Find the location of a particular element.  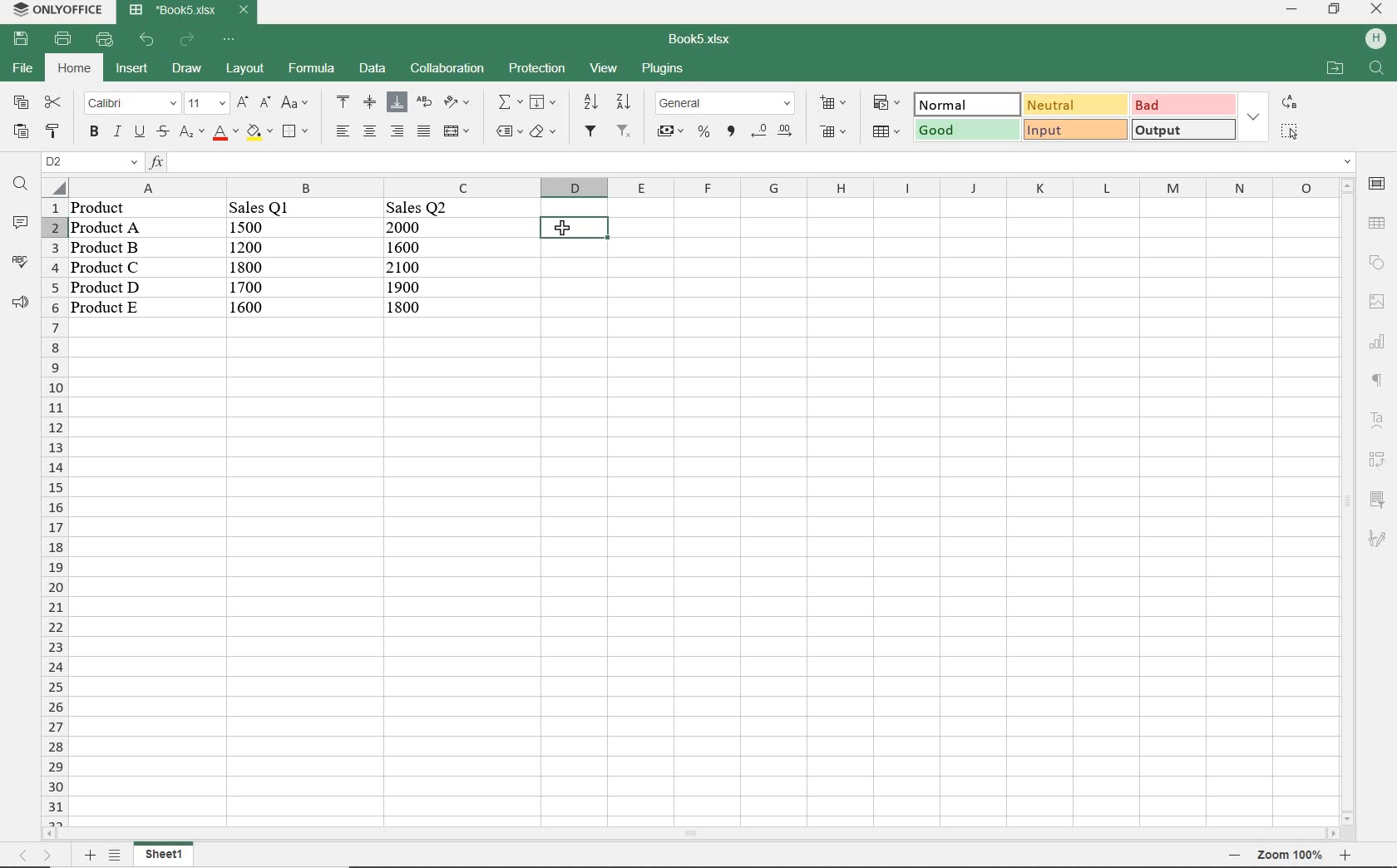

customize quick access toolbar is located at coordinates (227, 40).